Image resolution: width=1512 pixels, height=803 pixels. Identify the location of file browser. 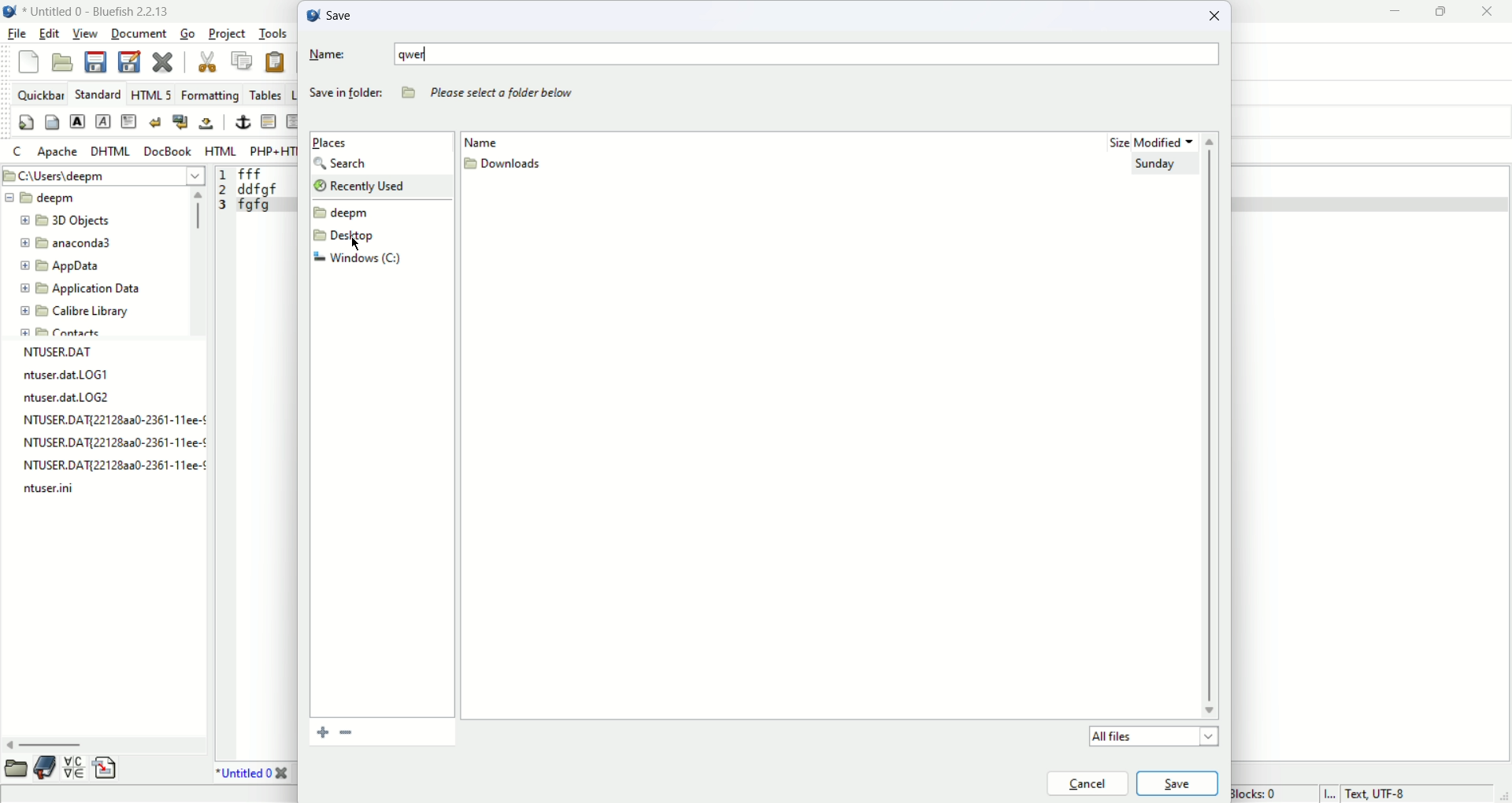
(15, 769).